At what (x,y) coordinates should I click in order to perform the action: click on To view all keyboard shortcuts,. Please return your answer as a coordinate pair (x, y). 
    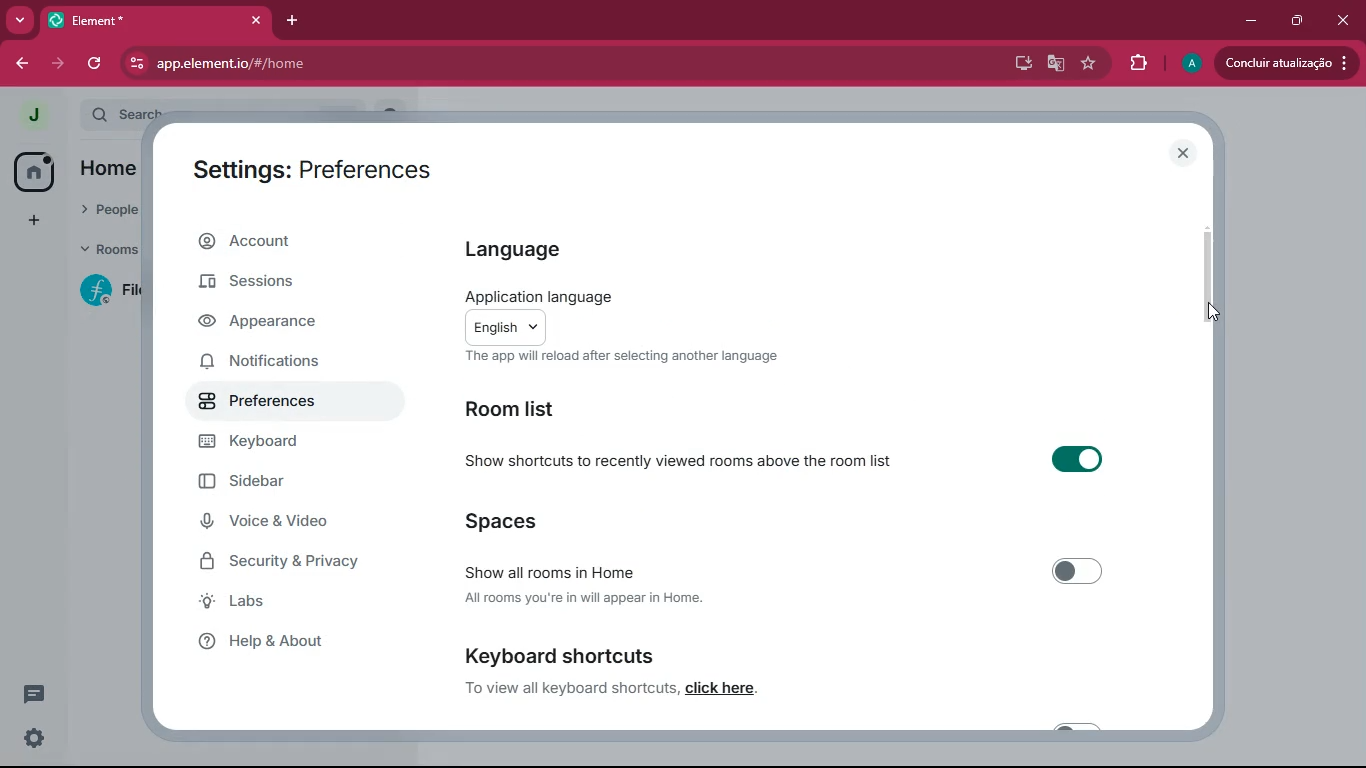
    Looking at the image, I should click on (568, 690).